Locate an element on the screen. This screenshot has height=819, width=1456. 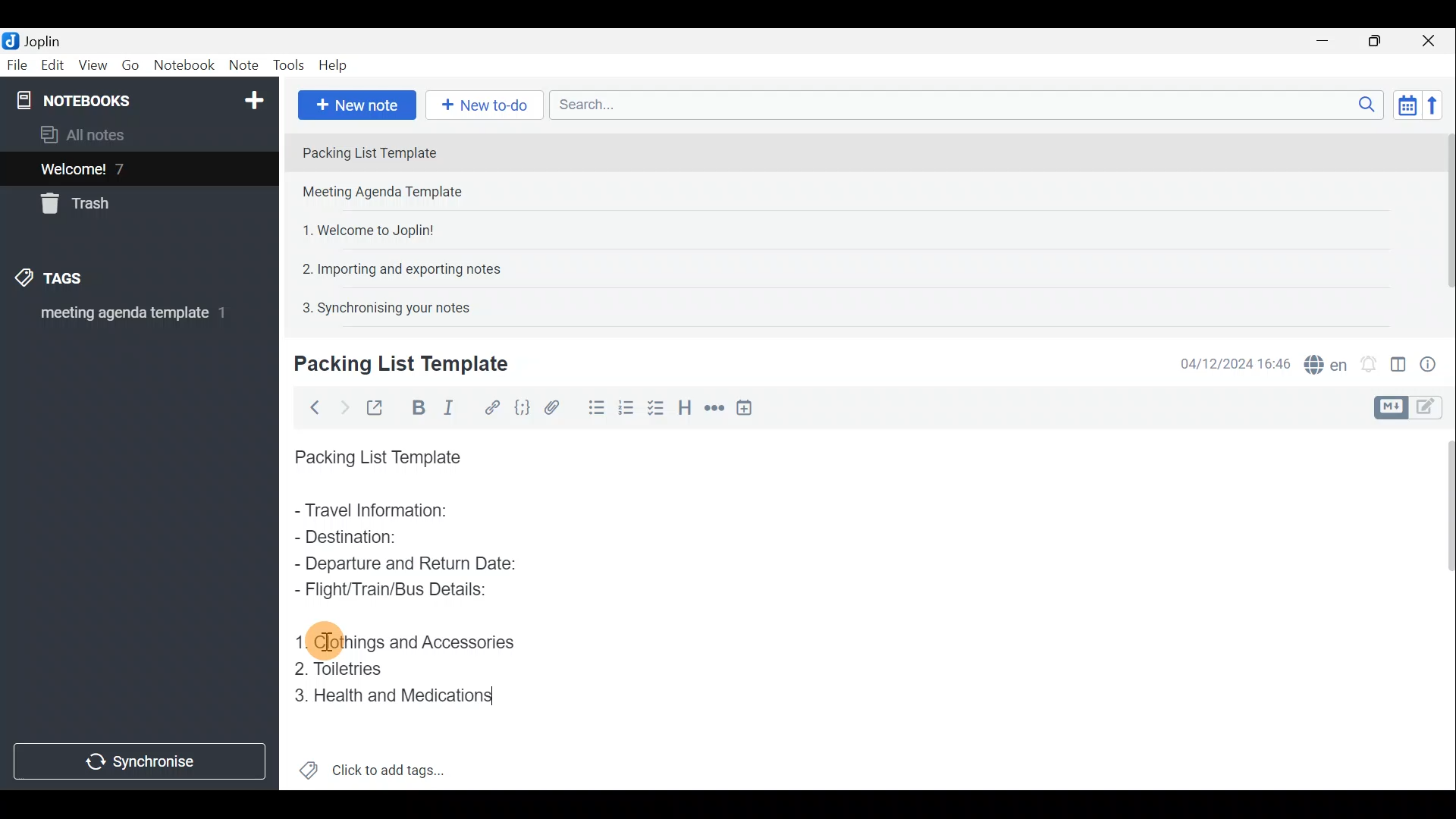
Insert time is located at coordinates (749, 407).